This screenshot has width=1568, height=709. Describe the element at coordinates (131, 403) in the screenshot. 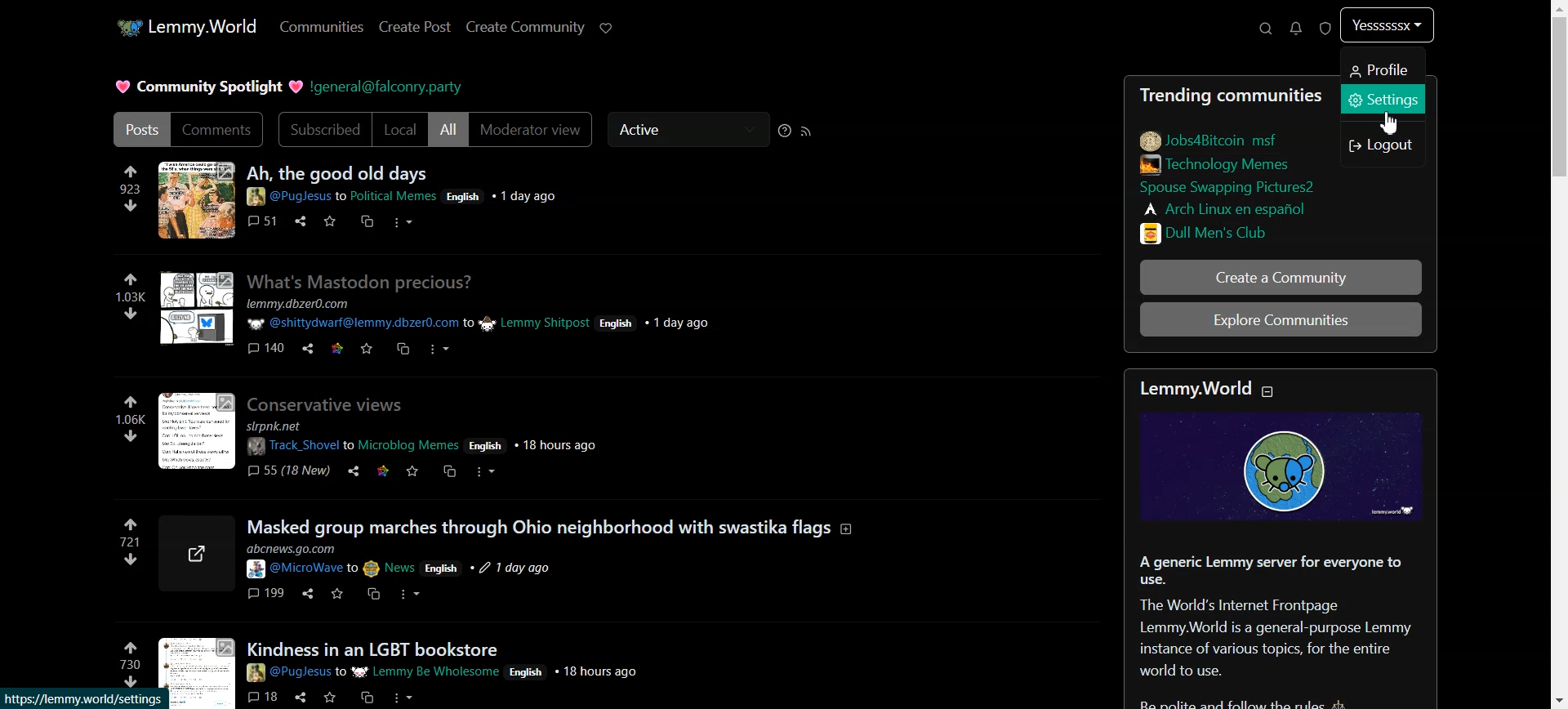

I see `upvote` at that location.